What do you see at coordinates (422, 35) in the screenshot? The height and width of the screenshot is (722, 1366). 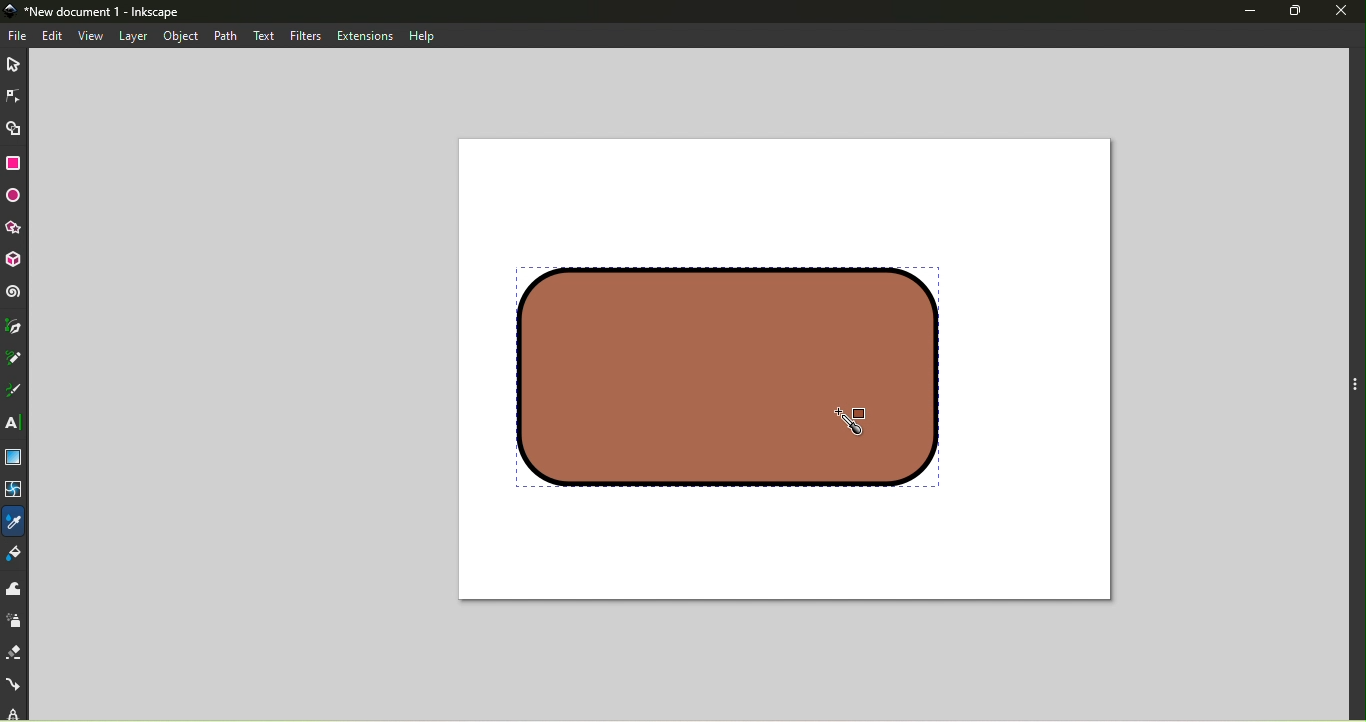 I see `Help` at bounding box center [422, 35].